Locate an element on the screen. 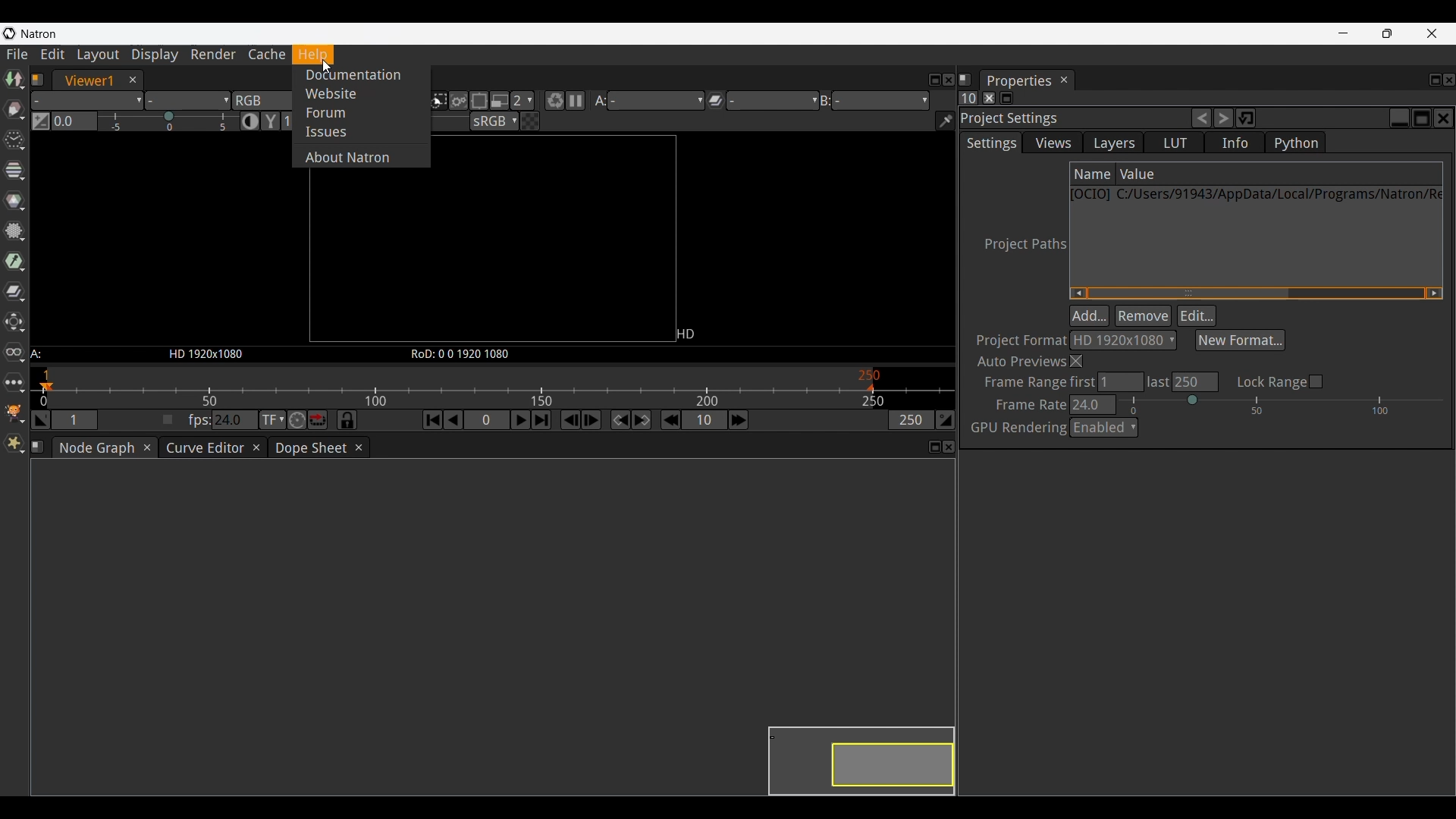 This screenshot has height=819, width=1456. 250 is located at coordinates (911, 420).